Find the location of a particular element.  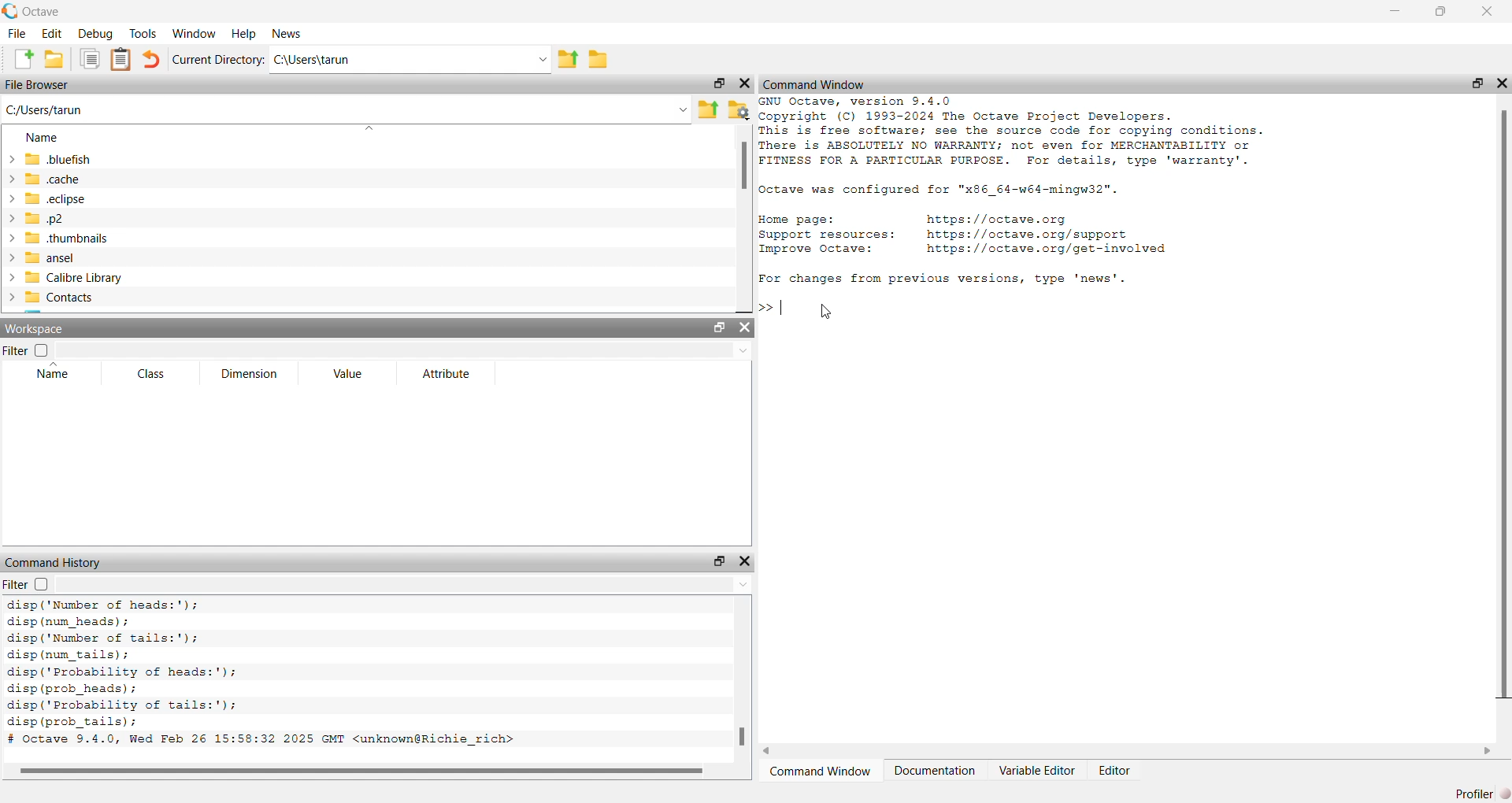

Value is located at coordinates (347, 375).